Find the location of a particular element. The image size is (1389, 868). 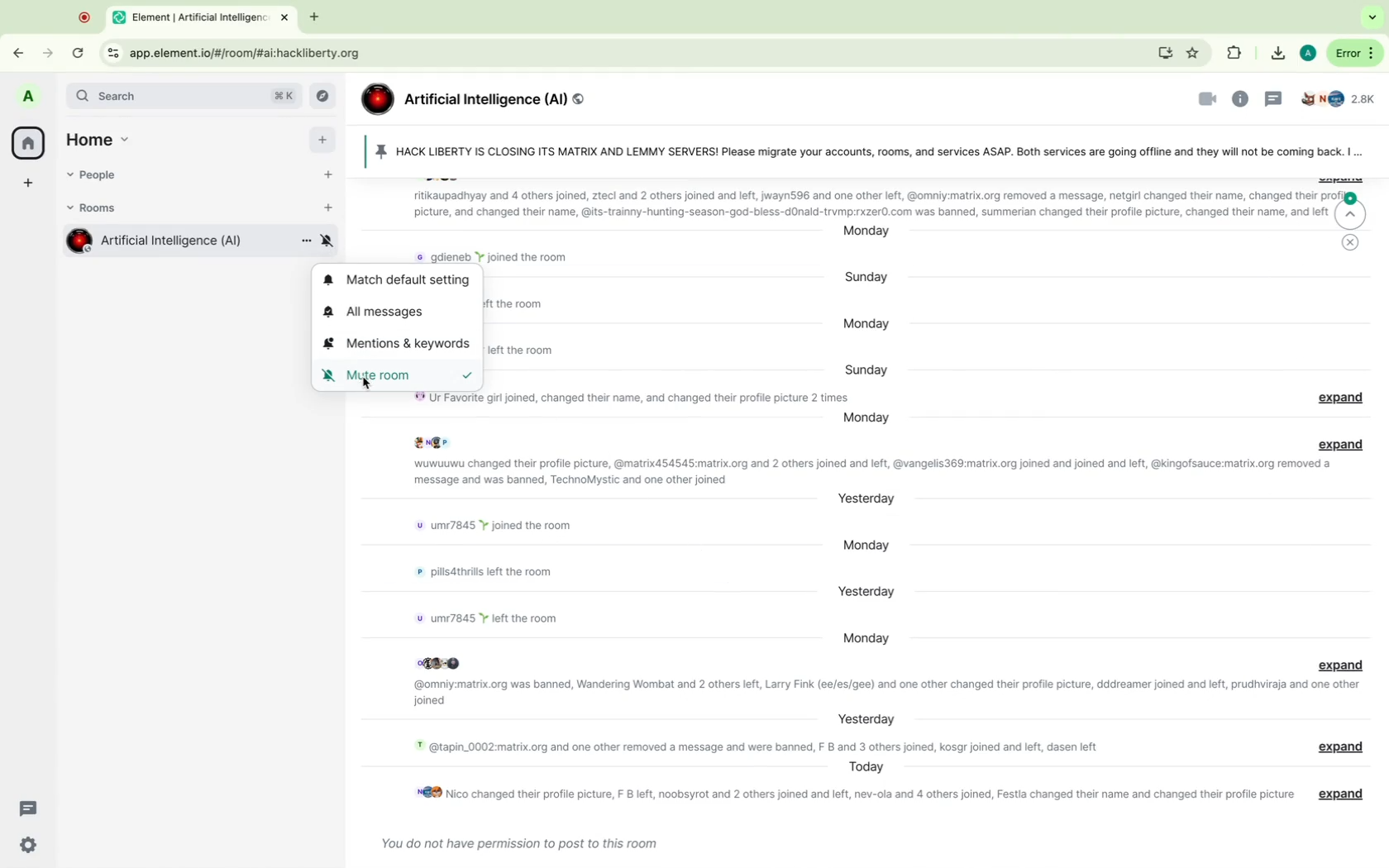

messages is located at coordinates (523, 845).